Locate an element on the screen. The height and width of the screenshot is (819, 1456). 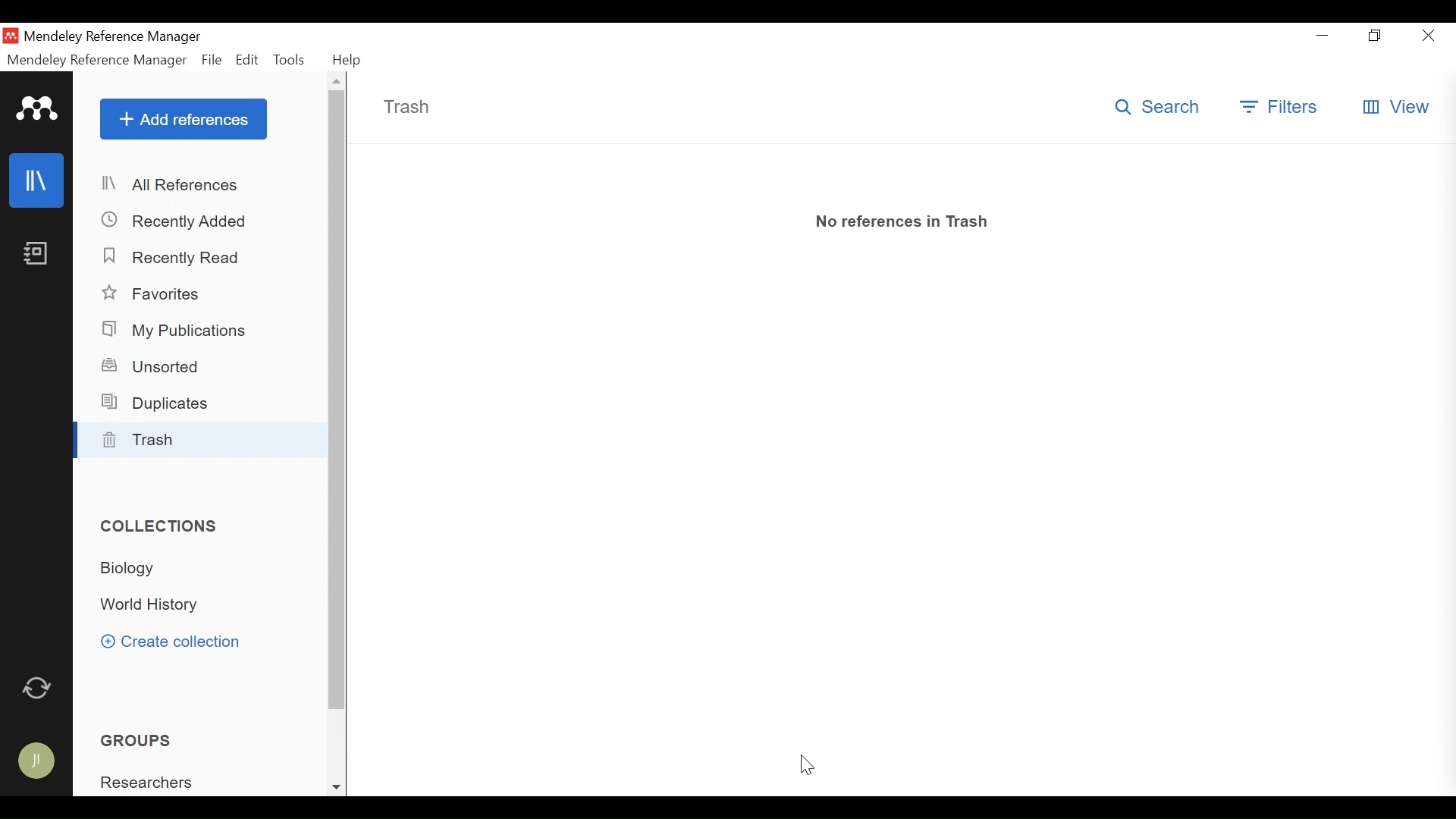
Tools is located at coordinates (290, 60).